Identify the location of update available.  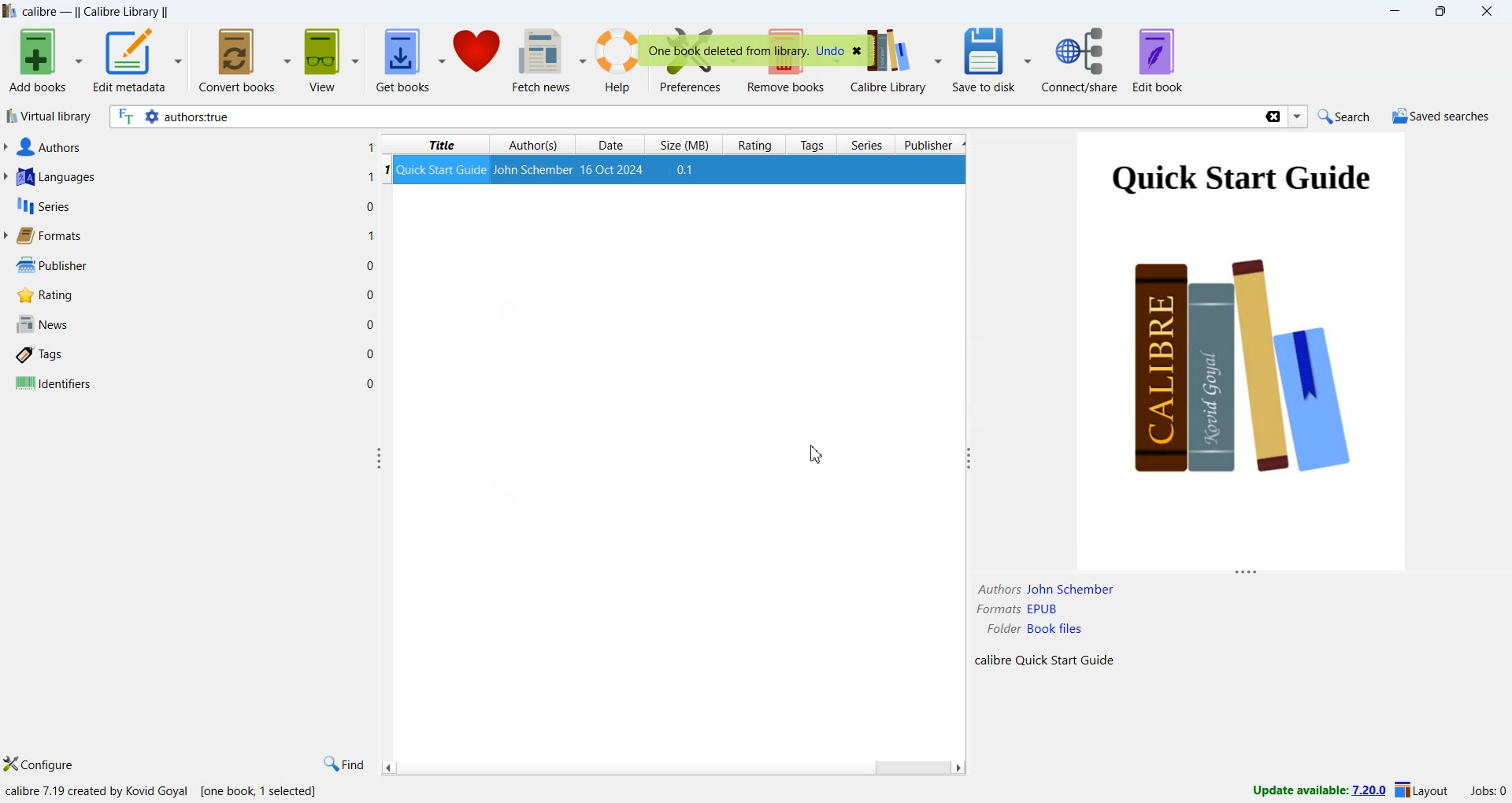
(1311, 790).